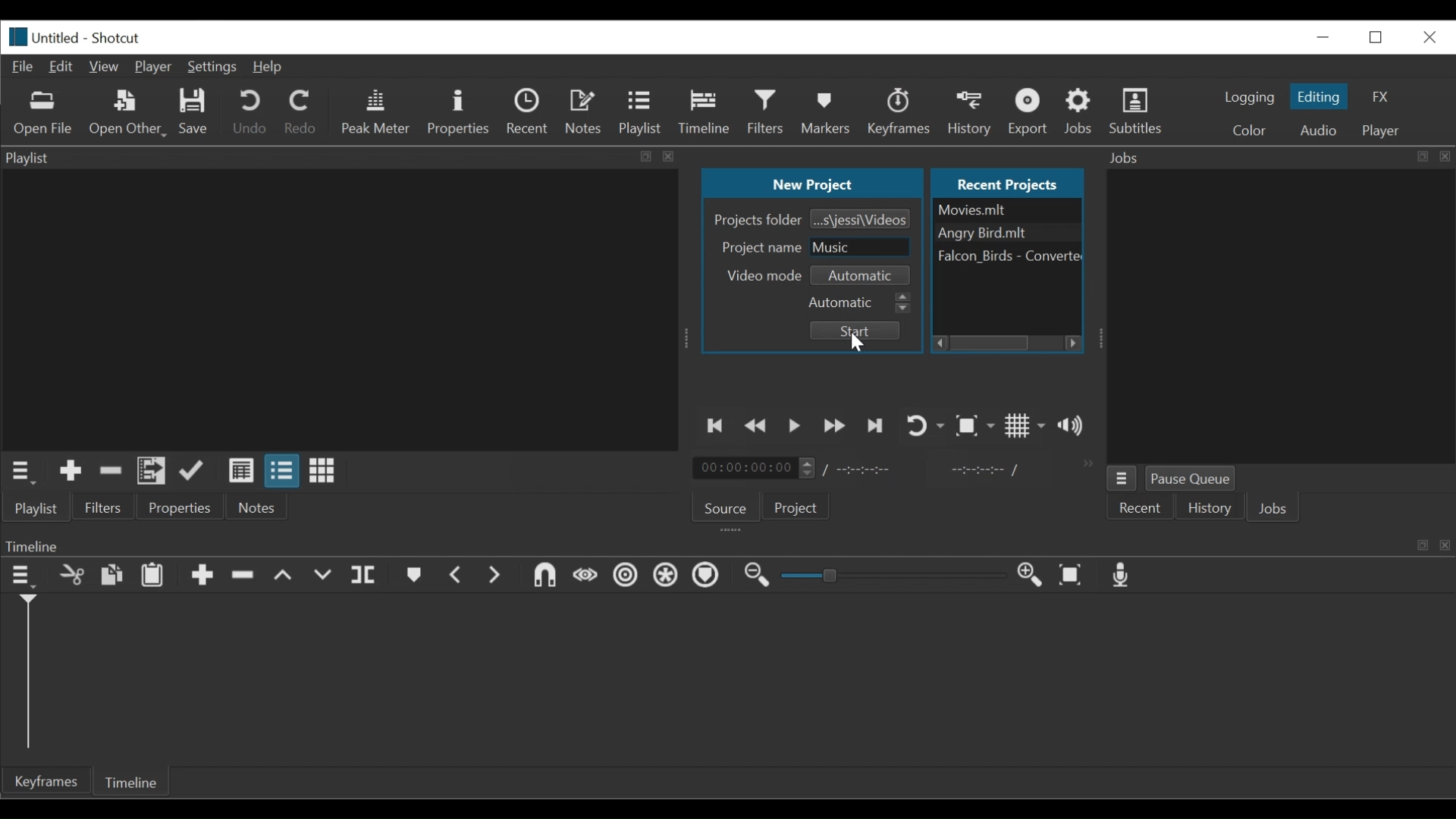  What do you see at coordinates (375, 111) in the screenshot?
I see `Peak Meter` at bounding box center [375, 111].